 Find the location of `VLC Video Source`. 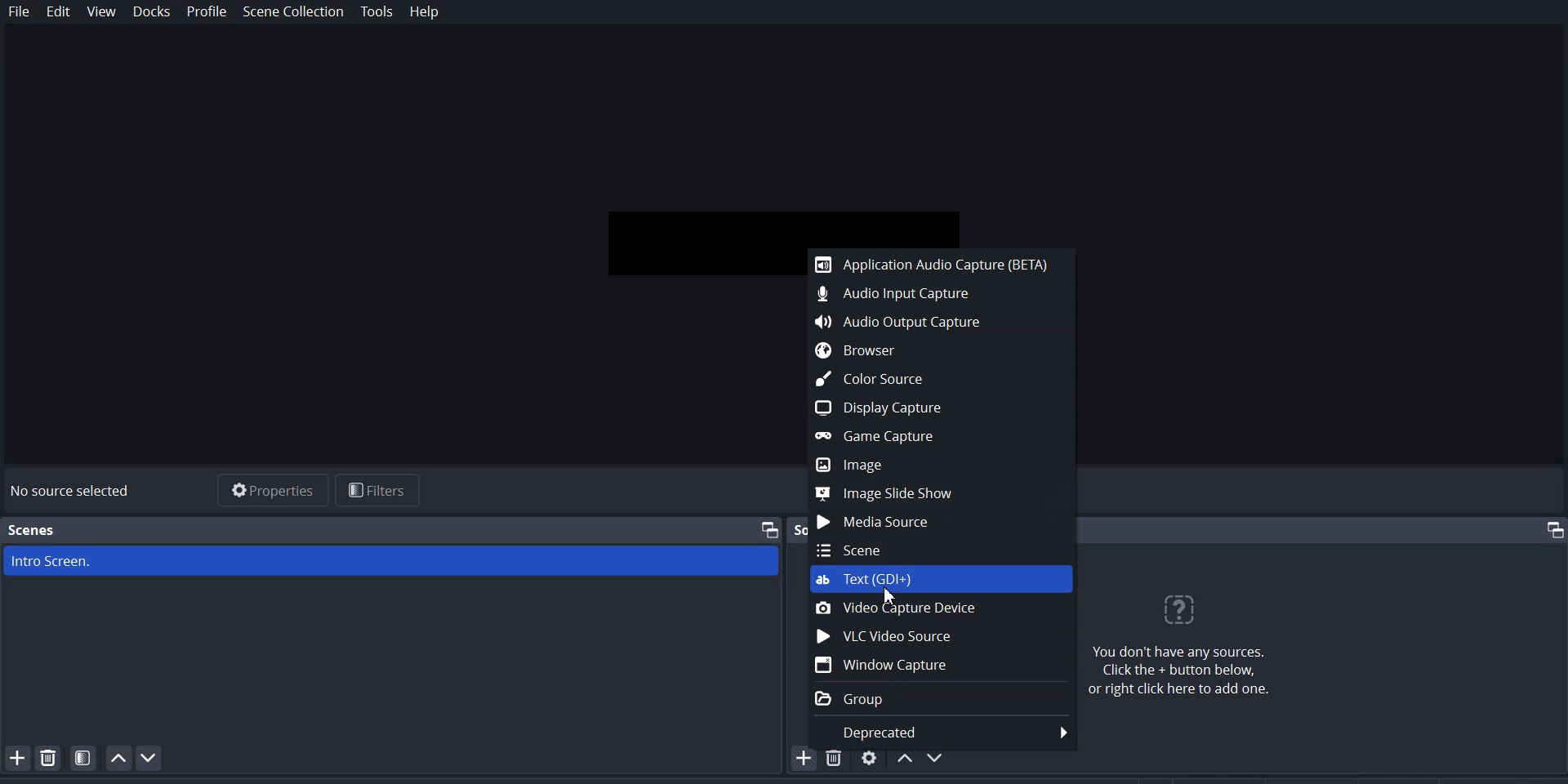

VLC Video Source is located at coordinates (940, 635).